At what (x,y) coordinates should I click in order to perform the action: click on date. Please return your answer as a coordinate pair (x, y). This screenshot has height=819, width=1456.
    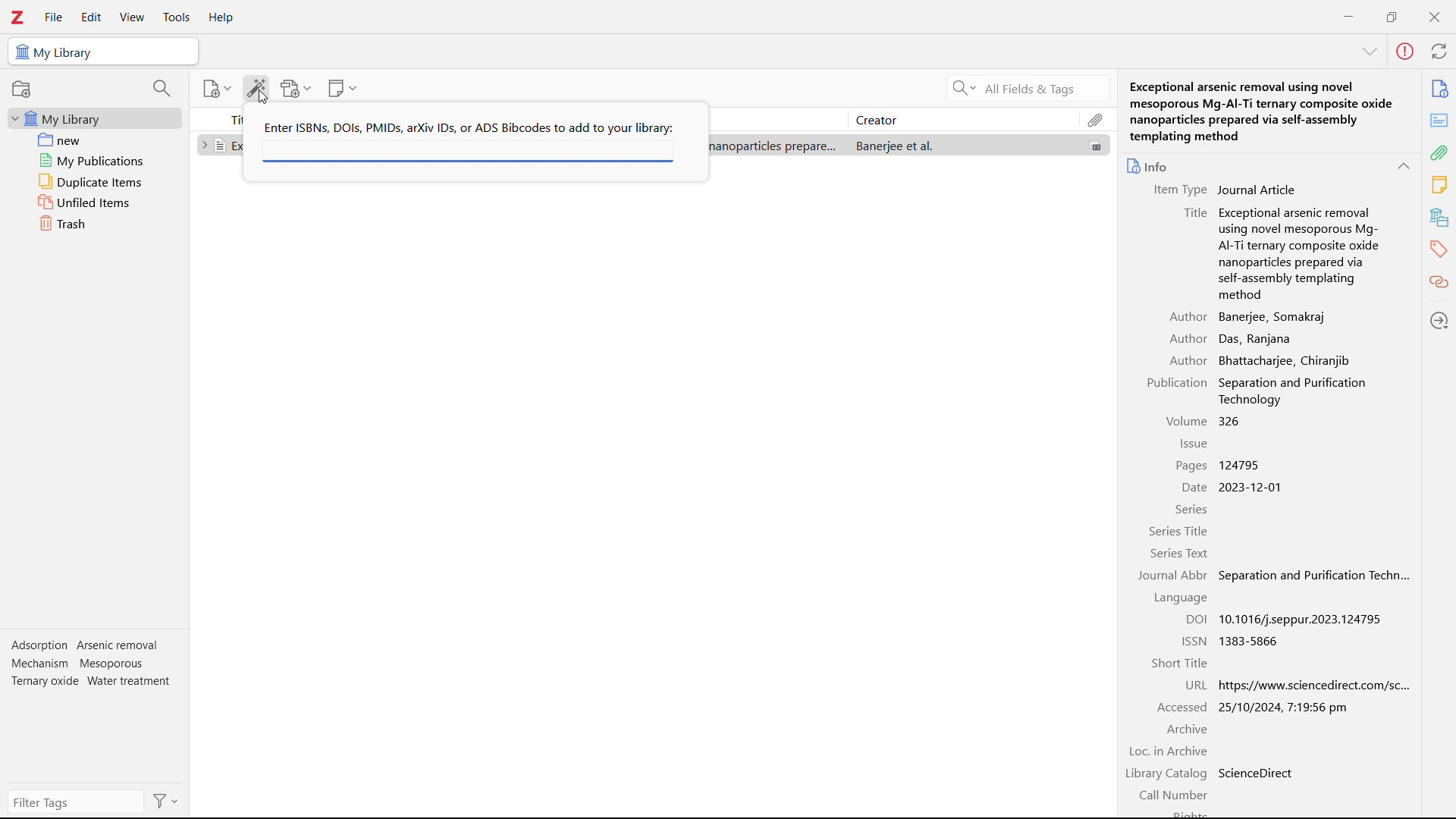
    Looking at the image, I should click on (1191, 488).